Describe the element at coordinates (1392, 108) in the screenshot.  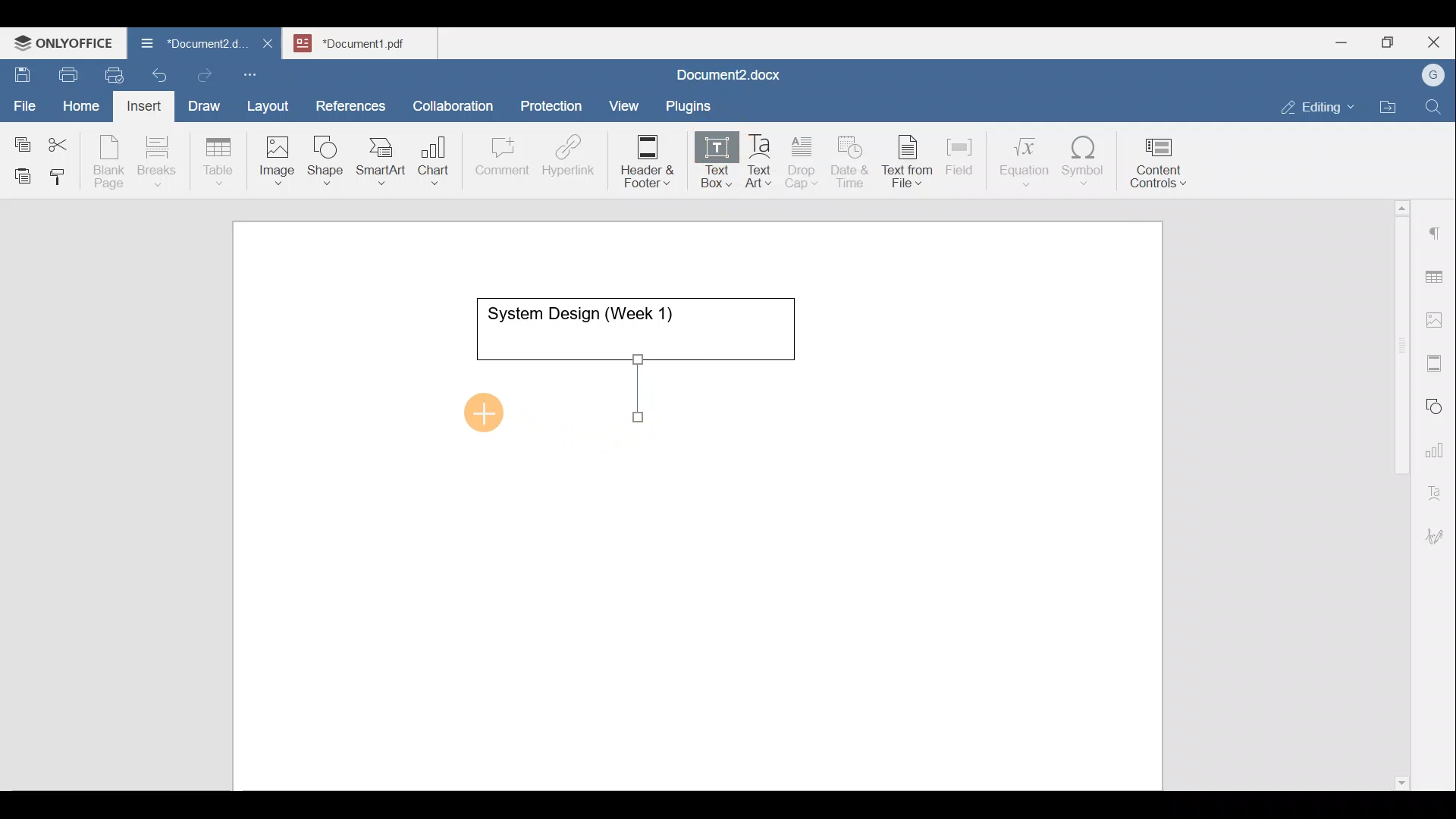
I see `Open file location` at that location.